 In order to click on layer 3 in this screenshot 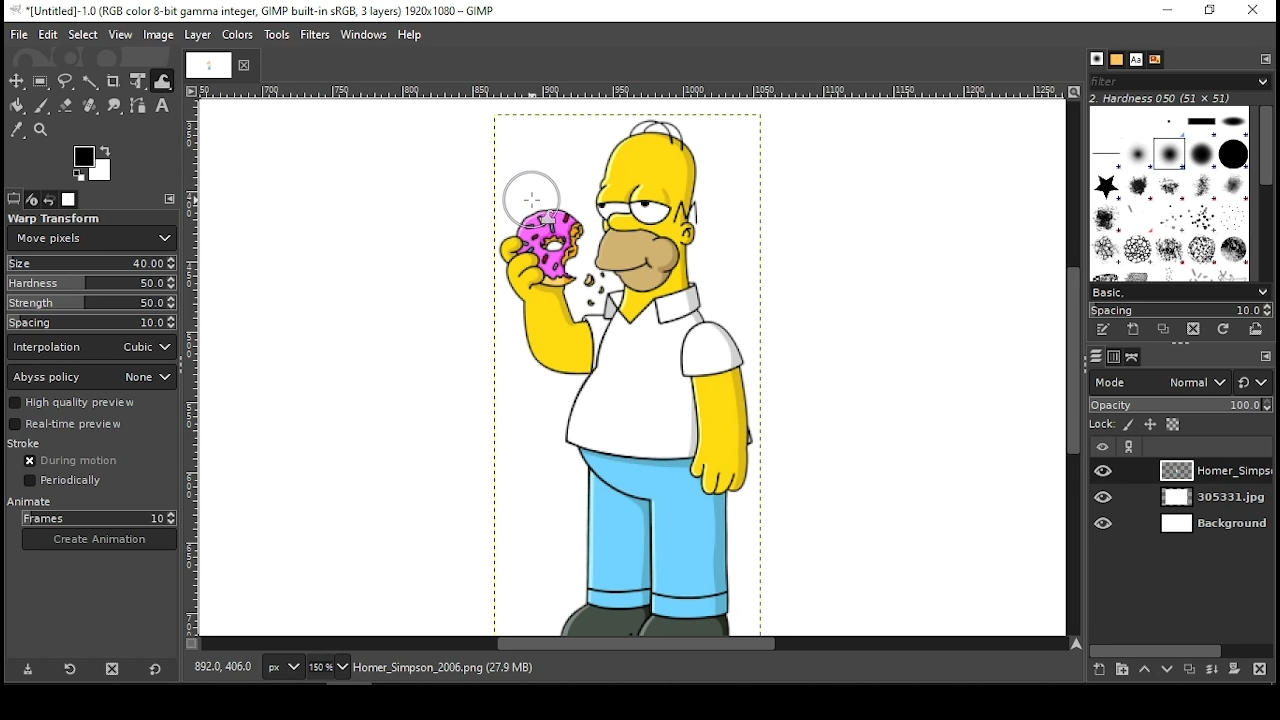, I will do `click(1215, 525)`.